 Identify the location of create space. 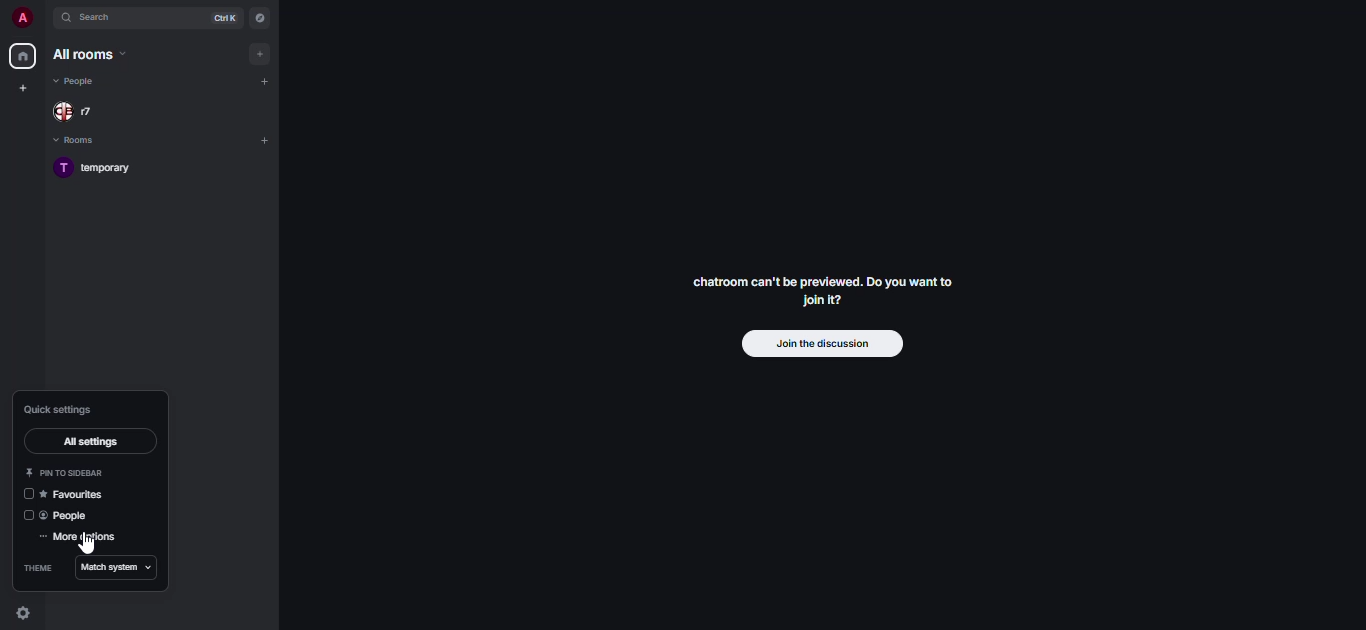
(21, 88).